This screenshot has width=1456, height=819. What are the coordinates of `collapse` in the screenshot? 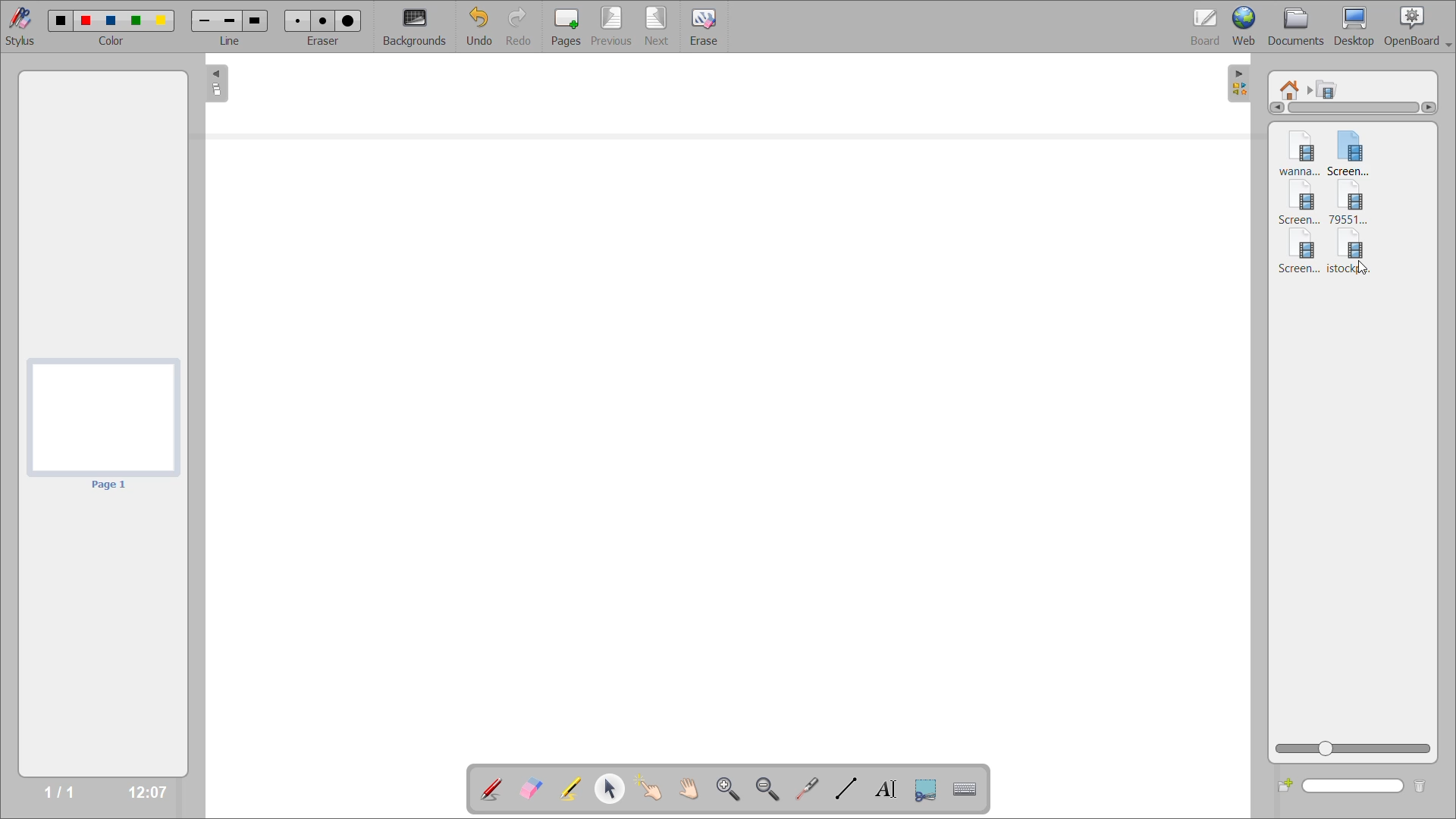 It's located at (1241, 81).